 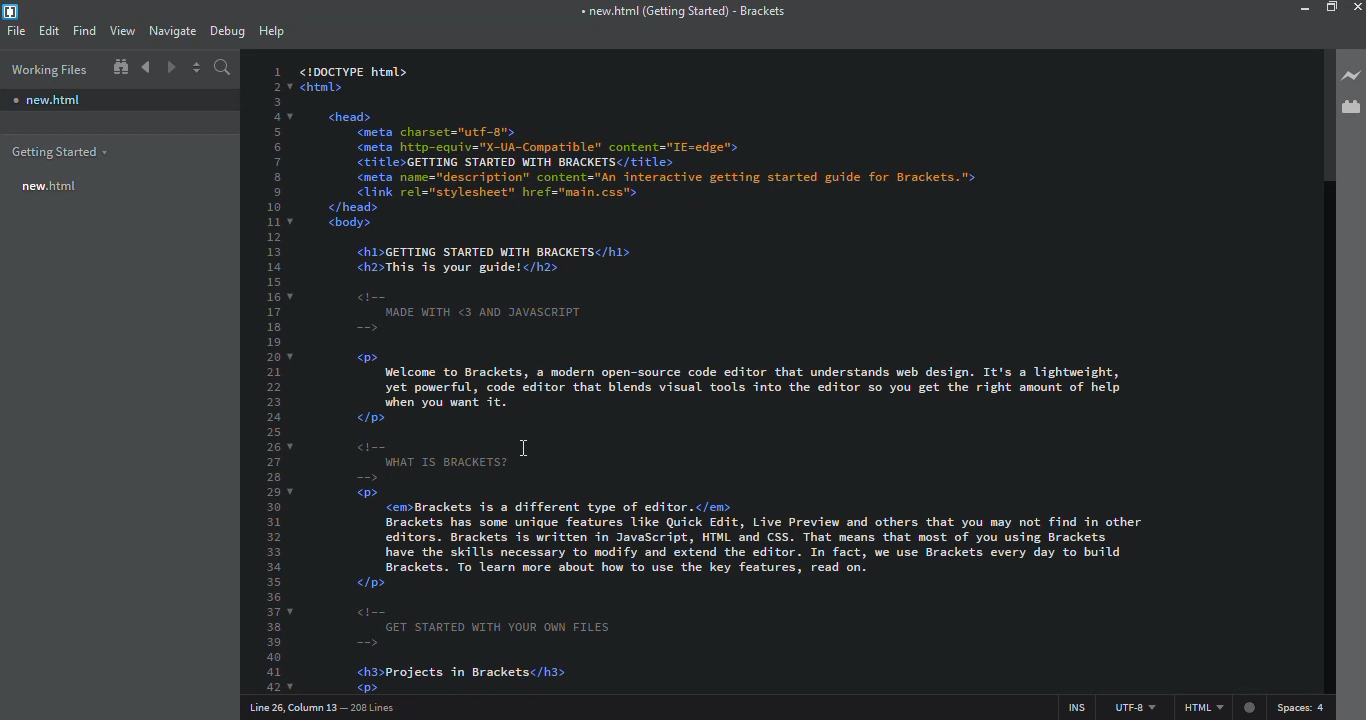 What do you see at coordinates (58, 153) in the screenshot?
I see `getting started` at bounding box center [58, 153].